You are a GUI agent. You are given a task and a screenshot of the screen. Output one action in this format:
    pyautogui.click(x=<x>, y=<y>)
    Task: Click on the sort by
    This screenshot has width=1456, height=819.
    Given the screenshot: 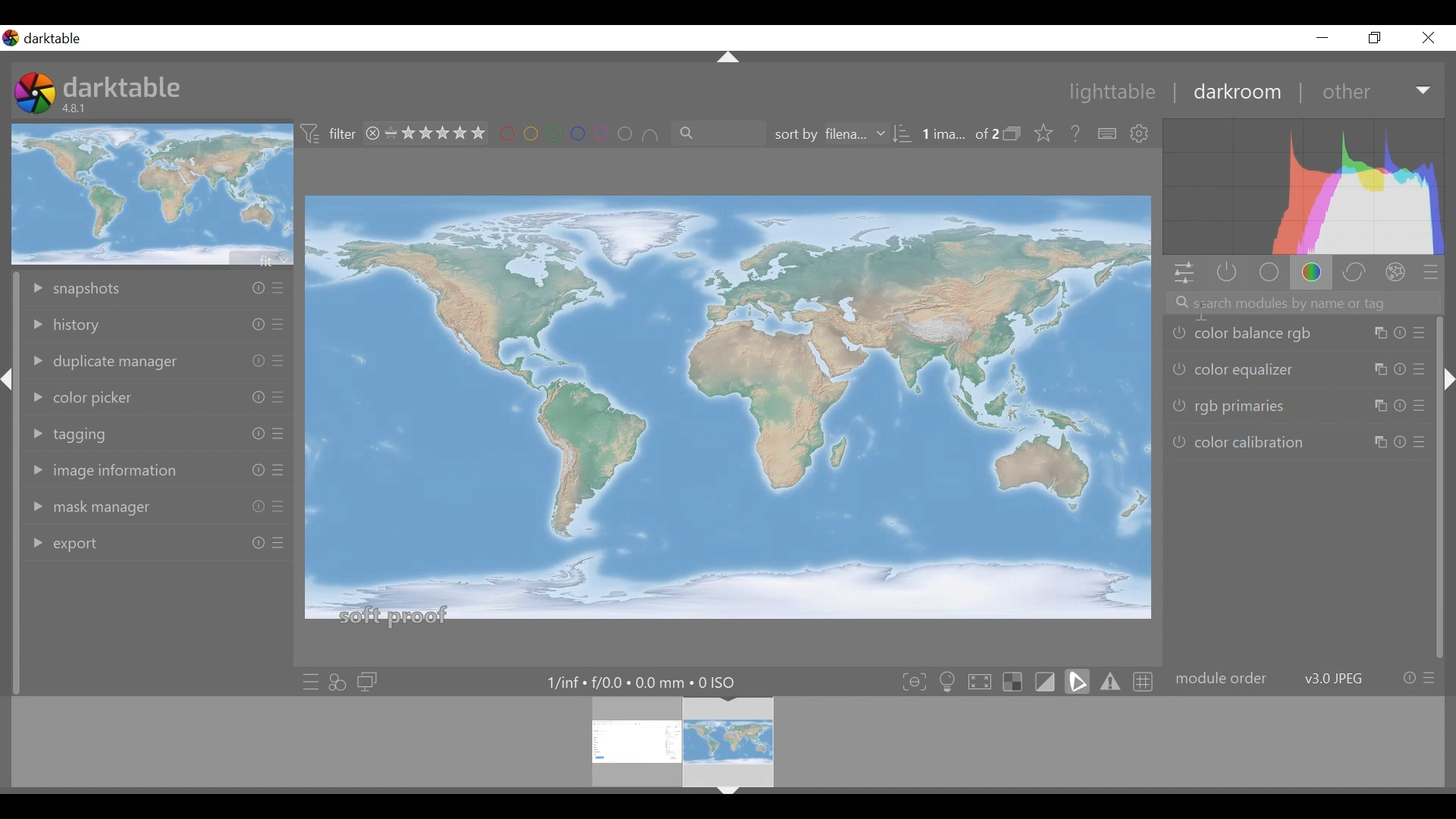 What is the action you would take?
    pyautogui.click(x=838, y=135)
    